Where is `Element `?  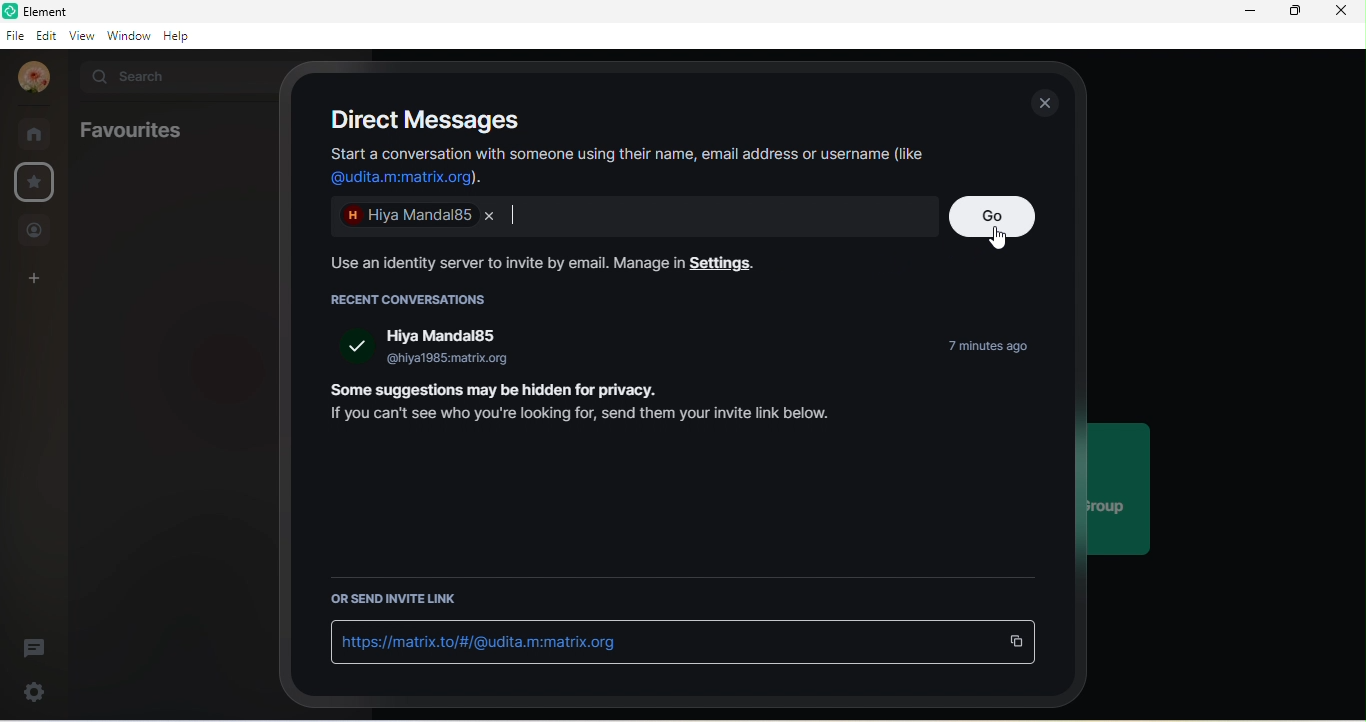 Element  is located at coordinates (134, 12).